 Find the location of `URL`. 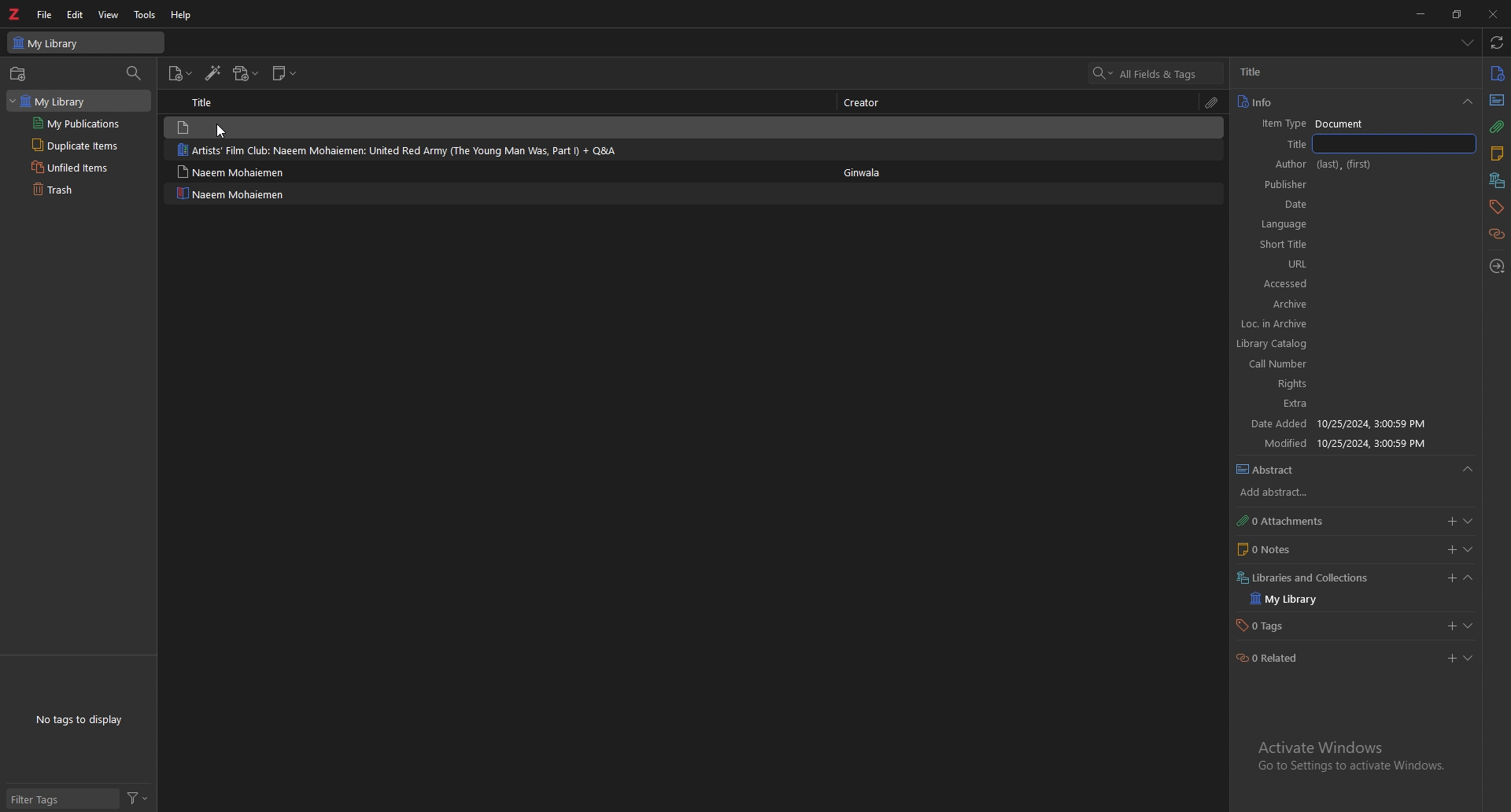

URL is located at coordinates (1332, 423).